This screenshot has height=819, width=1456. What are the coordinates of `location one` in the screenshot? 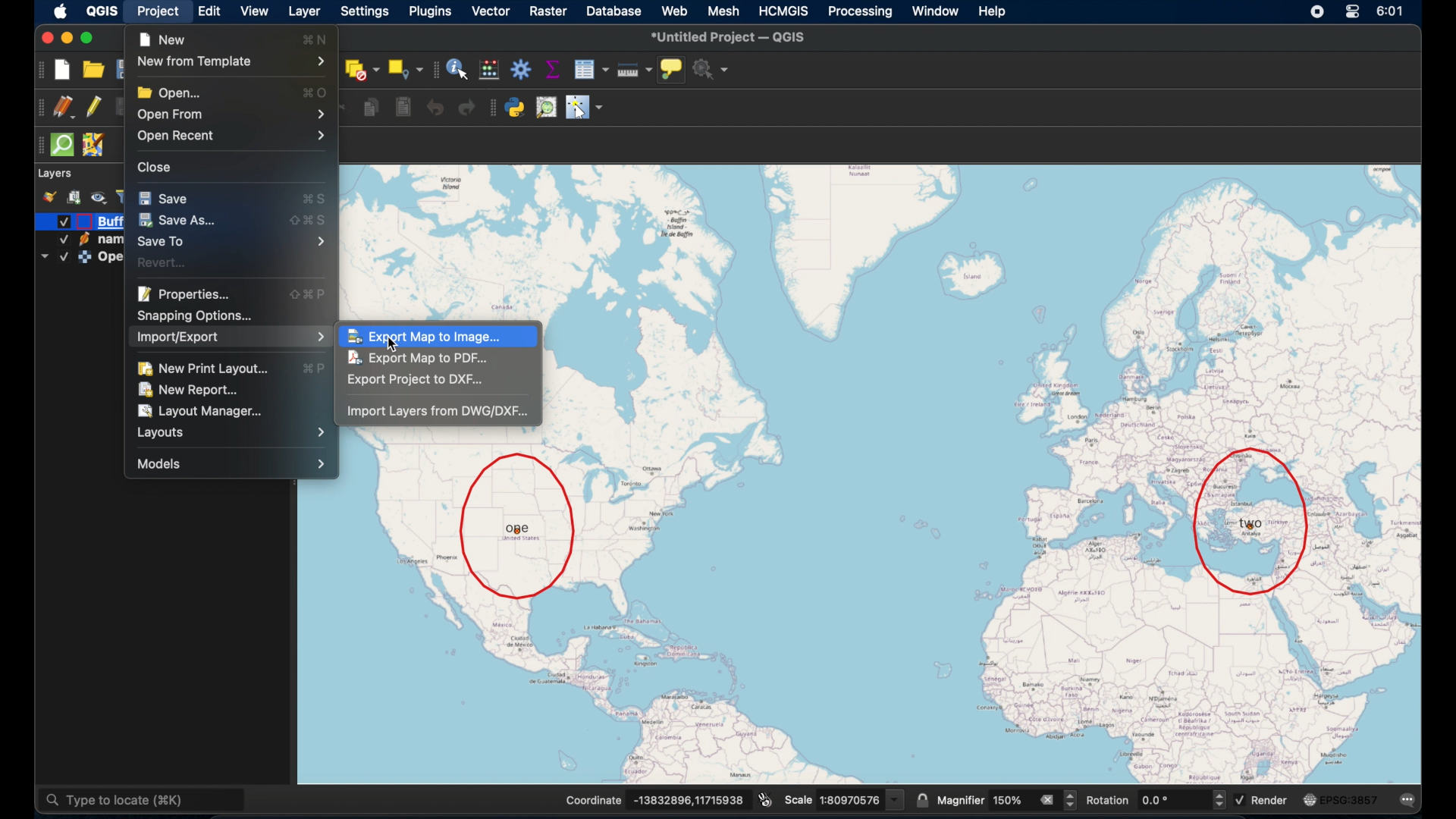 It's located at (519, 526).